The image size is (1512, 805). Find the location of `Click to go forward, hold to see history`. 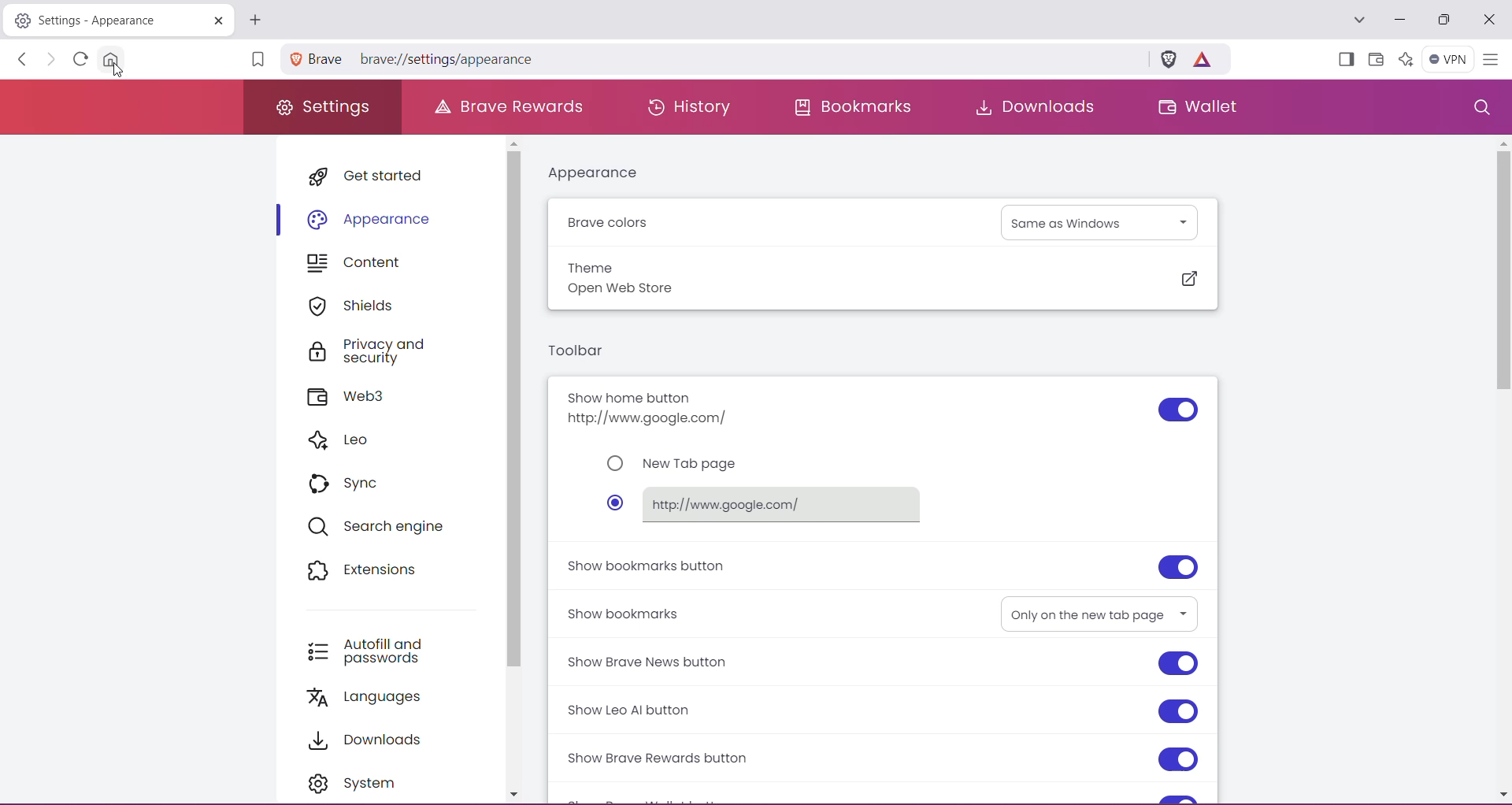

Click to go forward, hold to see history is located at coordinates (51, 60).